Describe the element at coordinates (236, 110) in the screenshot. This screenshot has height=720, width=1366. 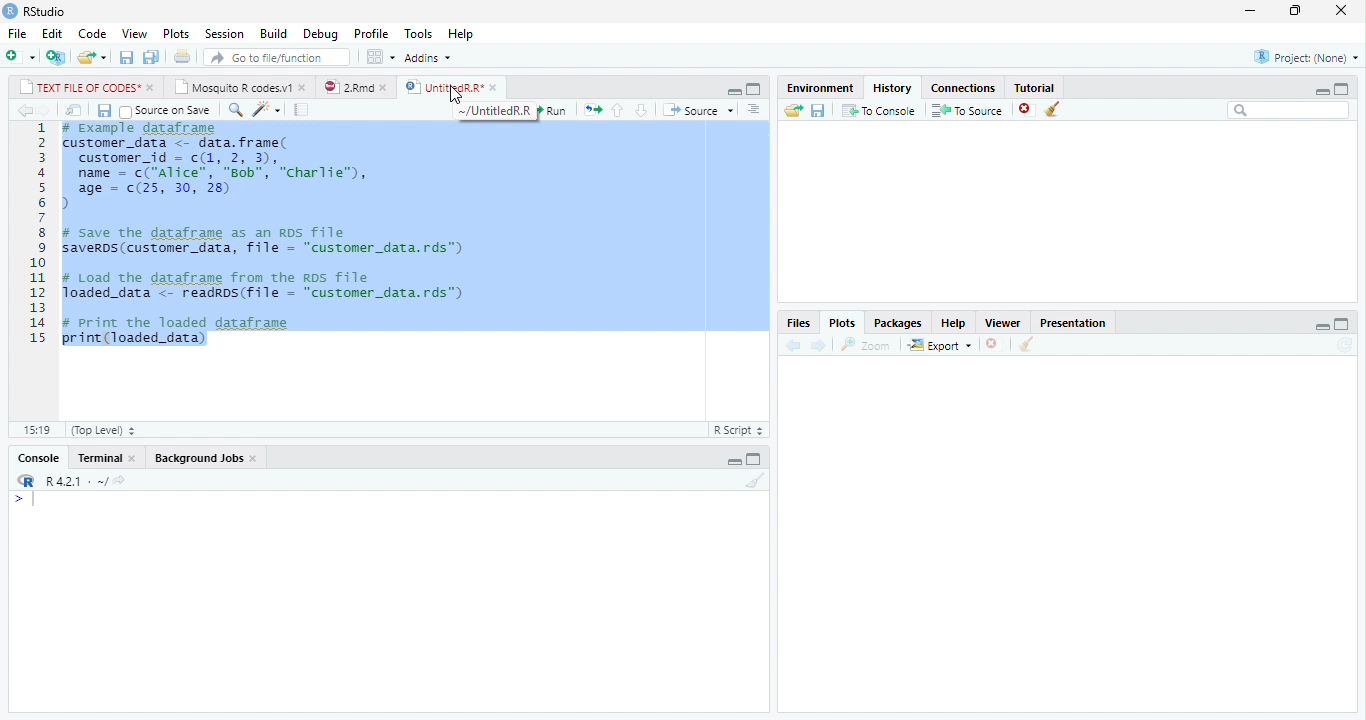
I see `search` at that location.